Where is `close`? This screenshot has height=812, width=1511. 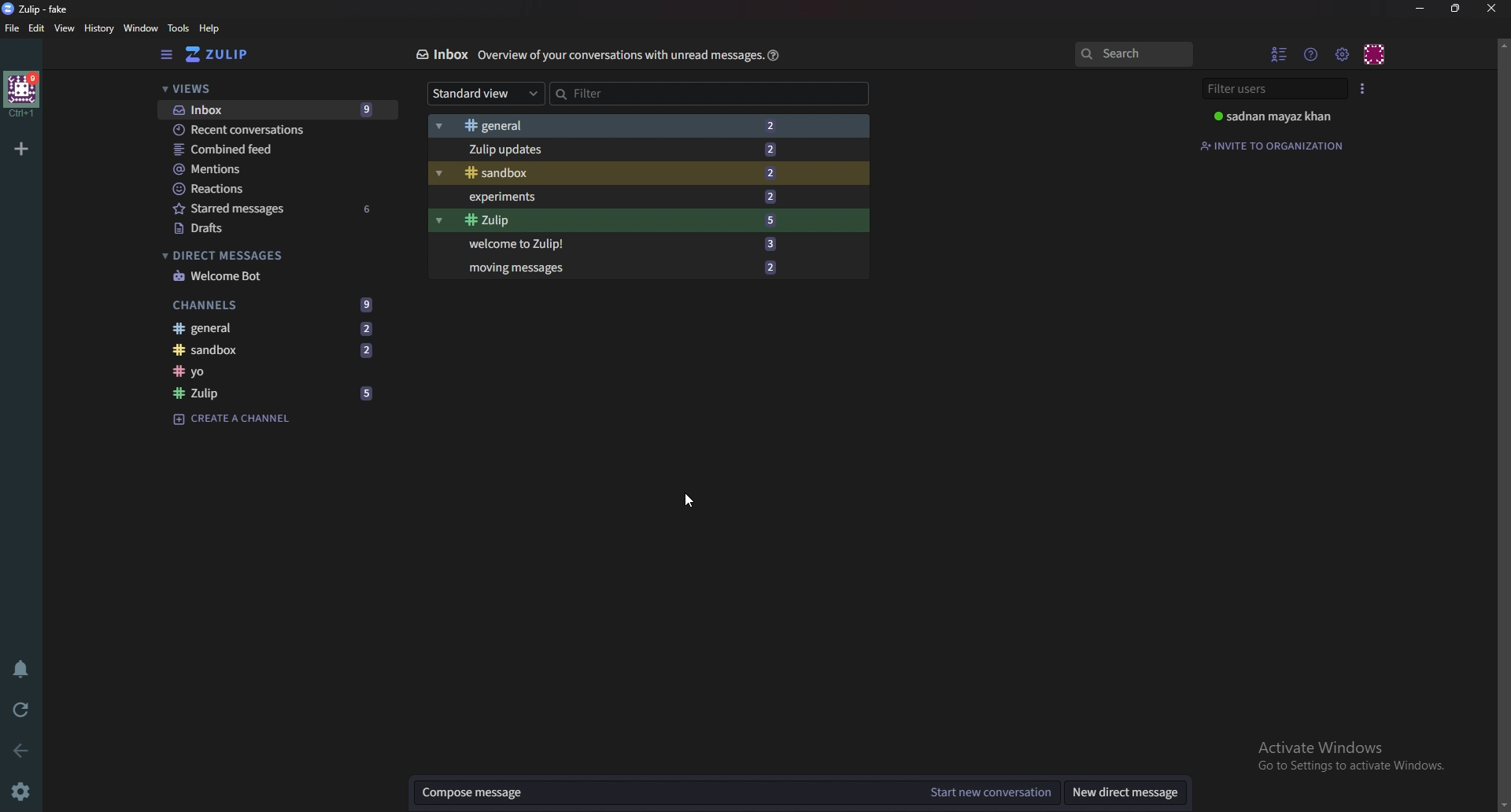 close is located at coordinates (1491, 9).